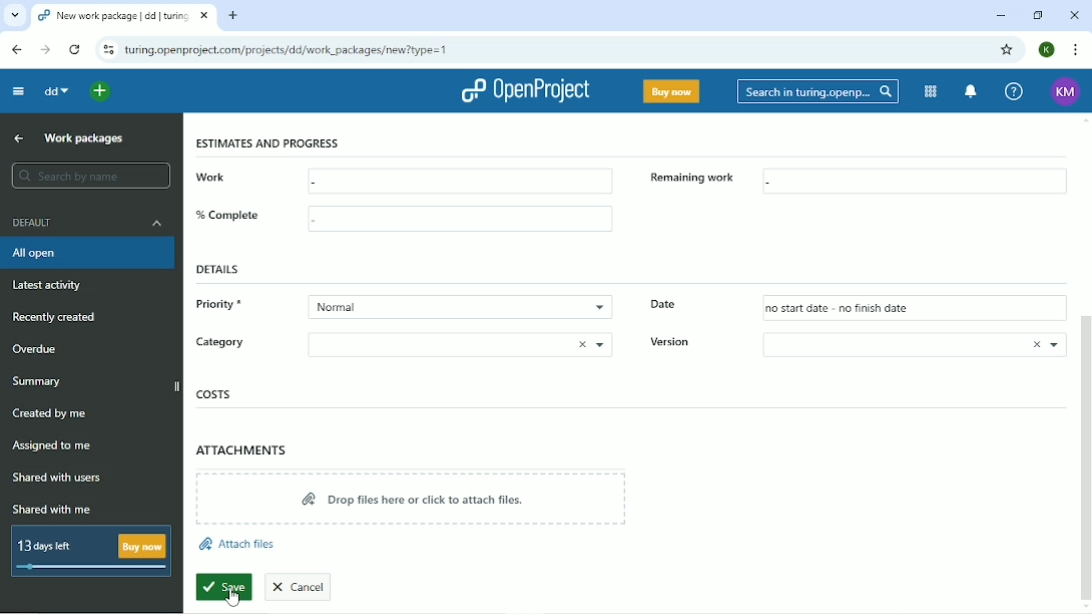  I want to click on Attach files, so click(244, 545).